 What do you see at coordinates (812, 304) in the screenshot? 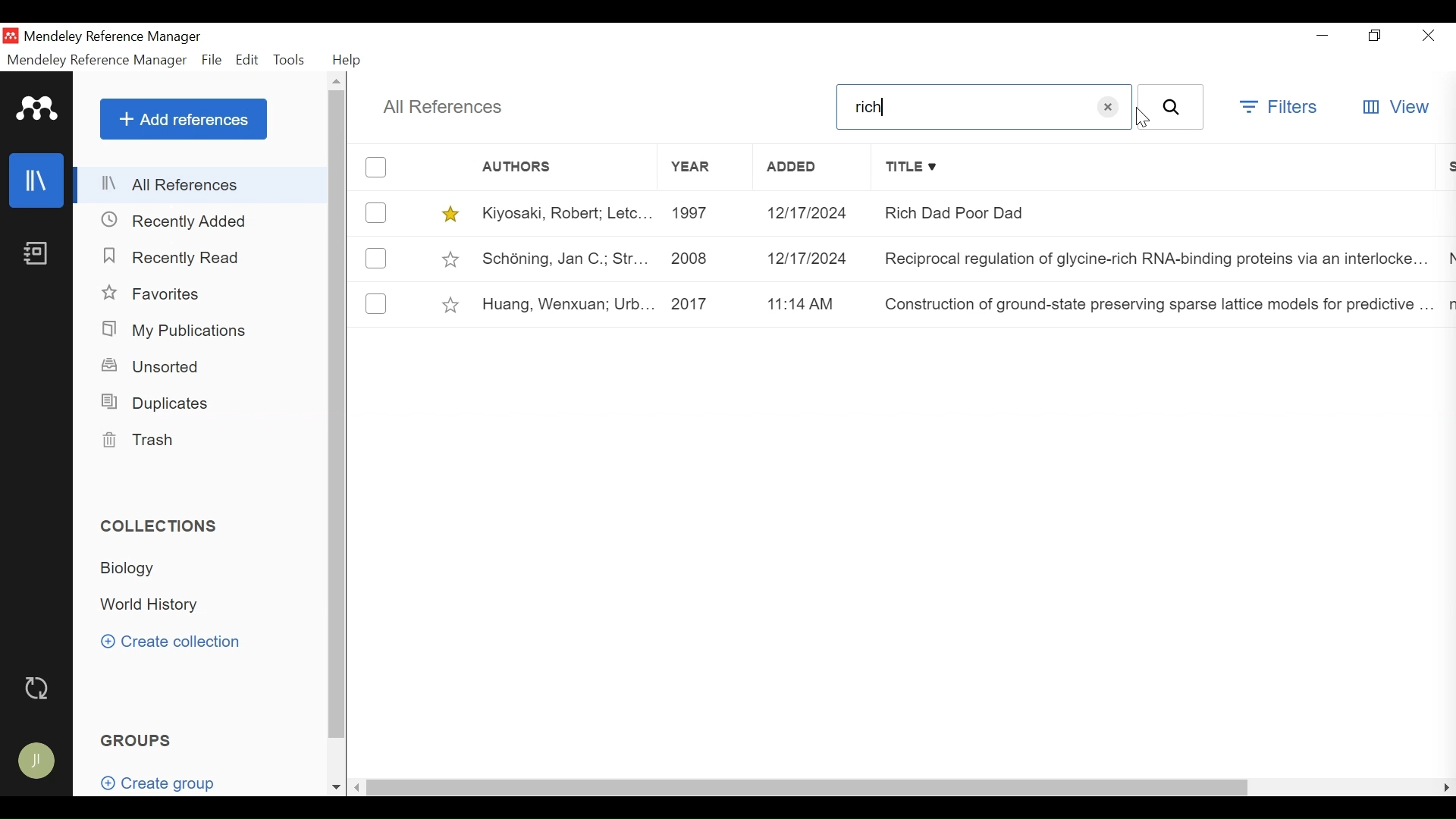
I see `11:14 AM` at bounding box center [812, 304].